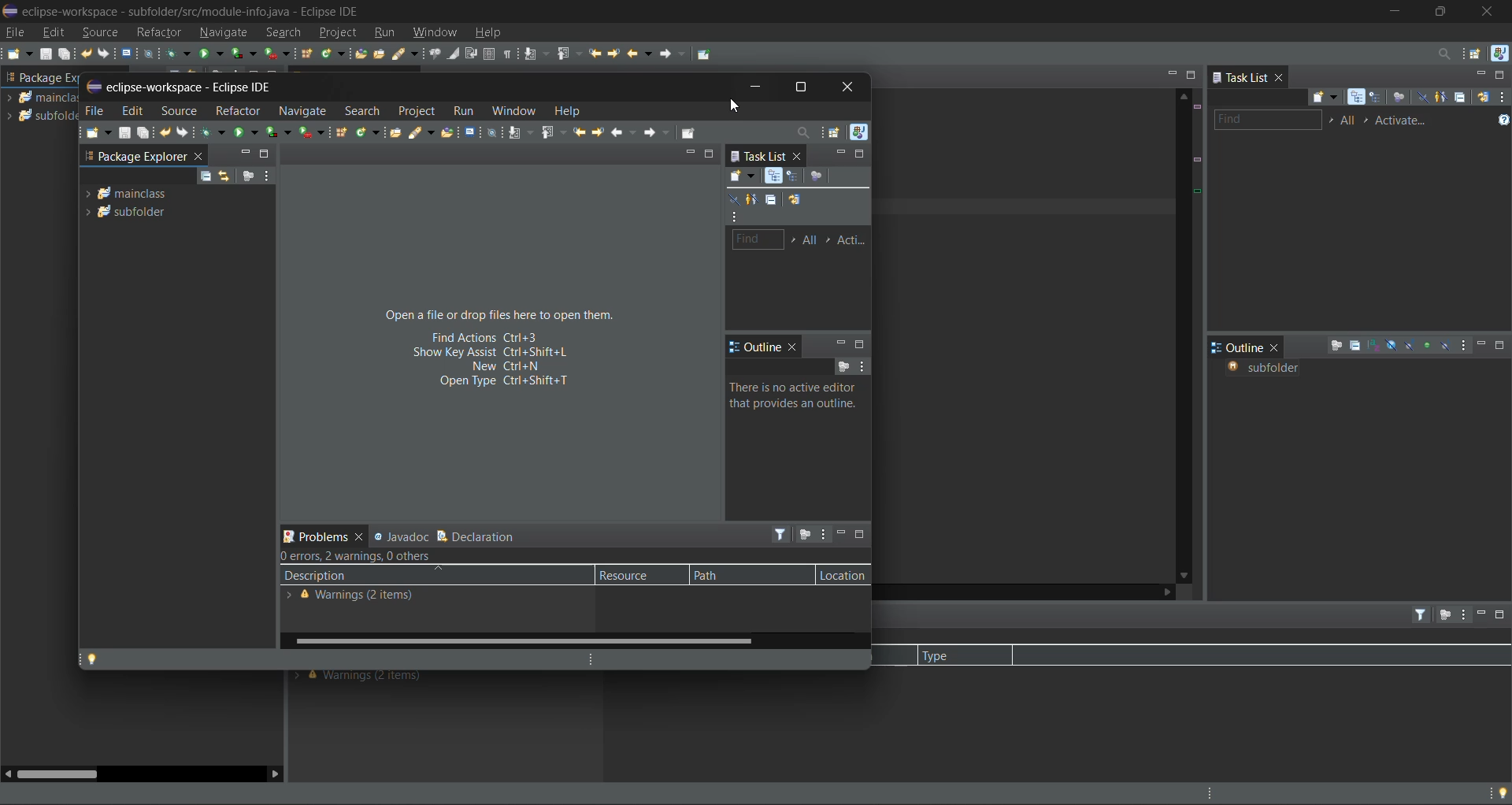  I want to click on run, so click(387, 33).